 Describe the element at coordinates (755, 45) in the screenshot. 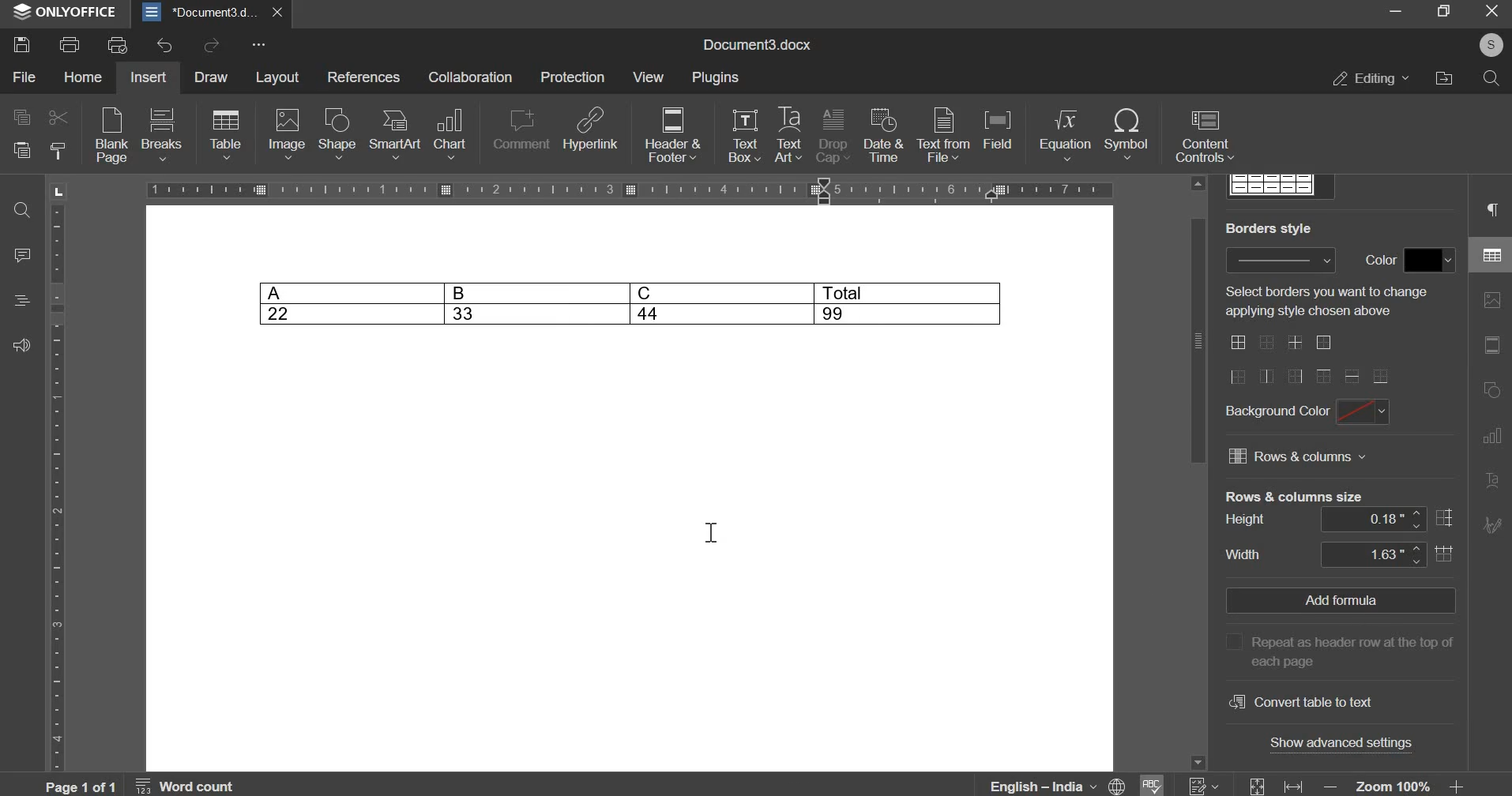

I see `Document3.docx` at that location.